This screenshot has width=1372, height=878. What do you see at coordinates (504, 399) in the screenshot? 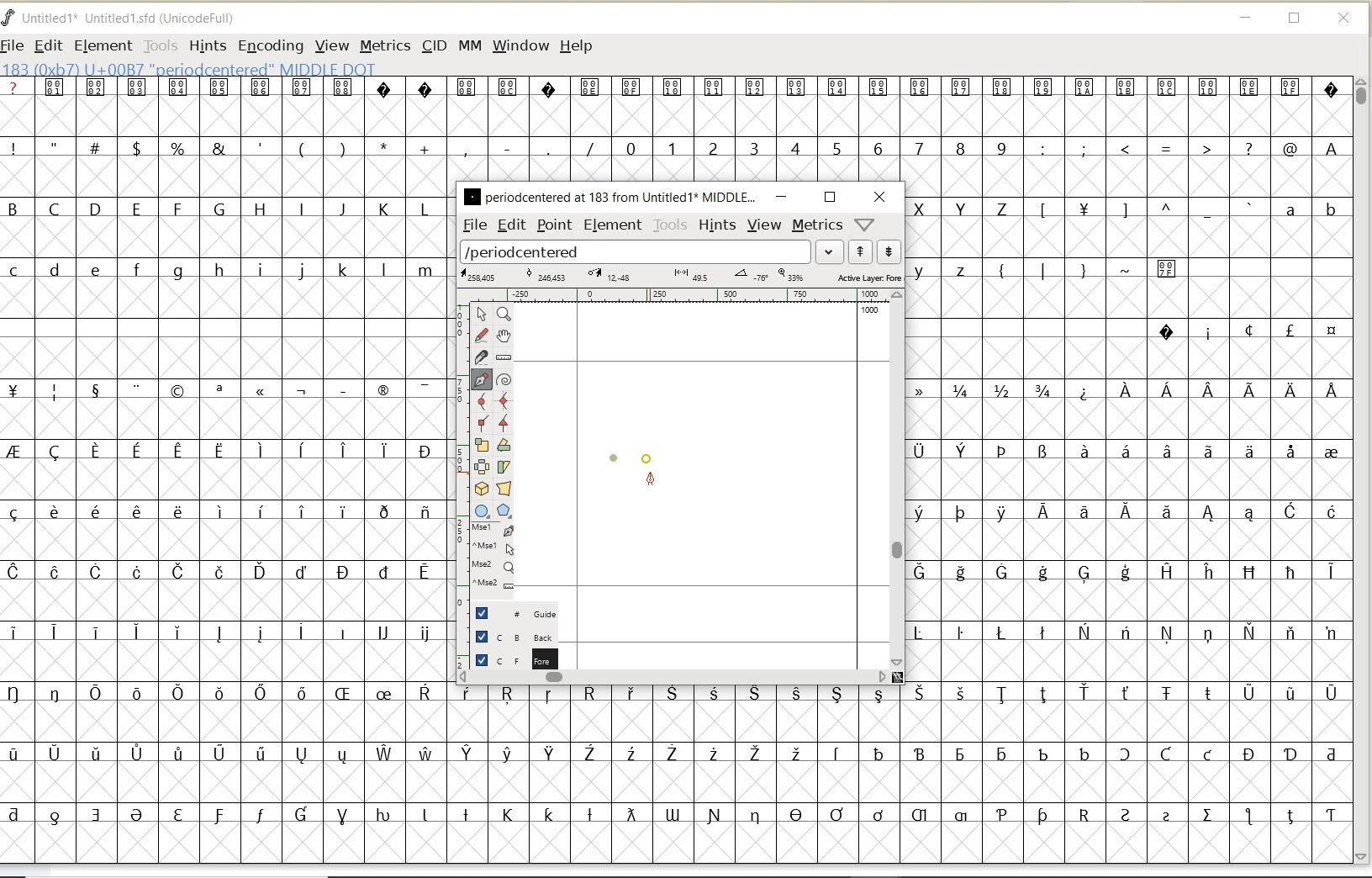
I see `add a curve point always either horizontal or vertical` at bounding box center [504, 399].